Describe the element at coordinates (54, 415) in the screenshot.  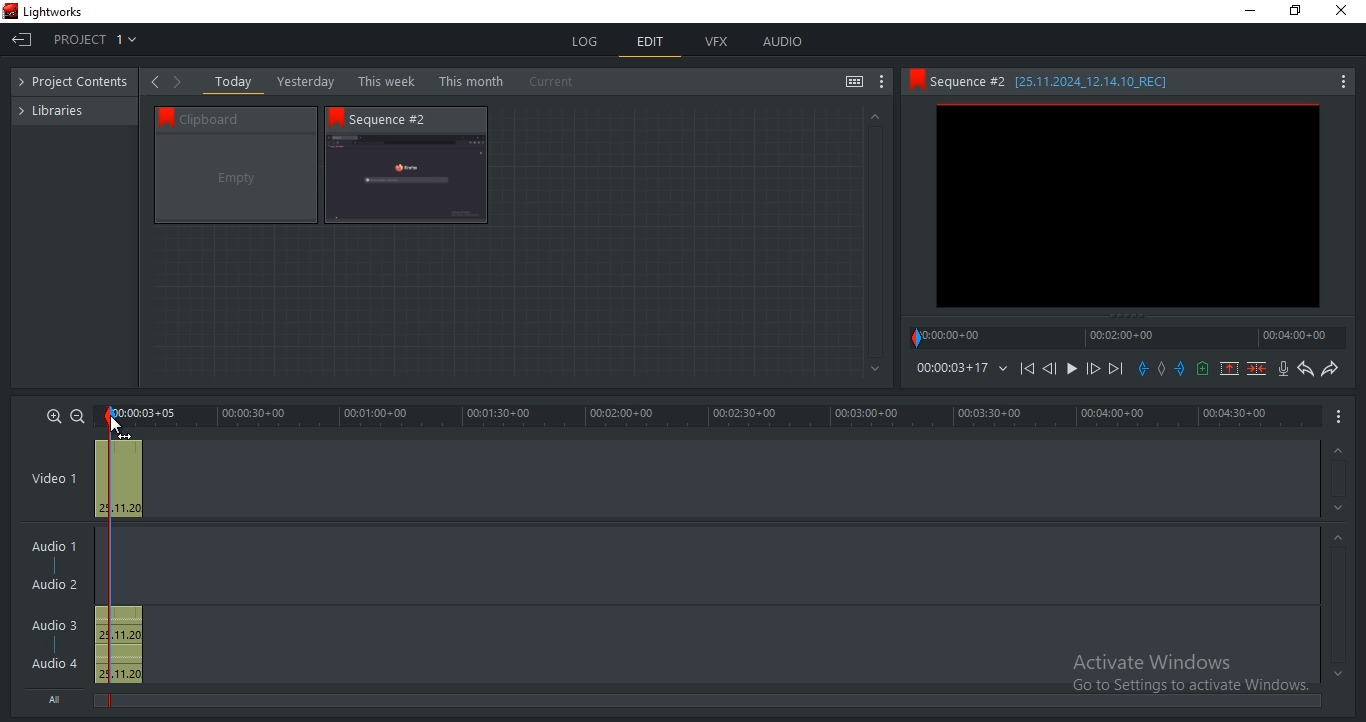
I see `zoom in` at that location.